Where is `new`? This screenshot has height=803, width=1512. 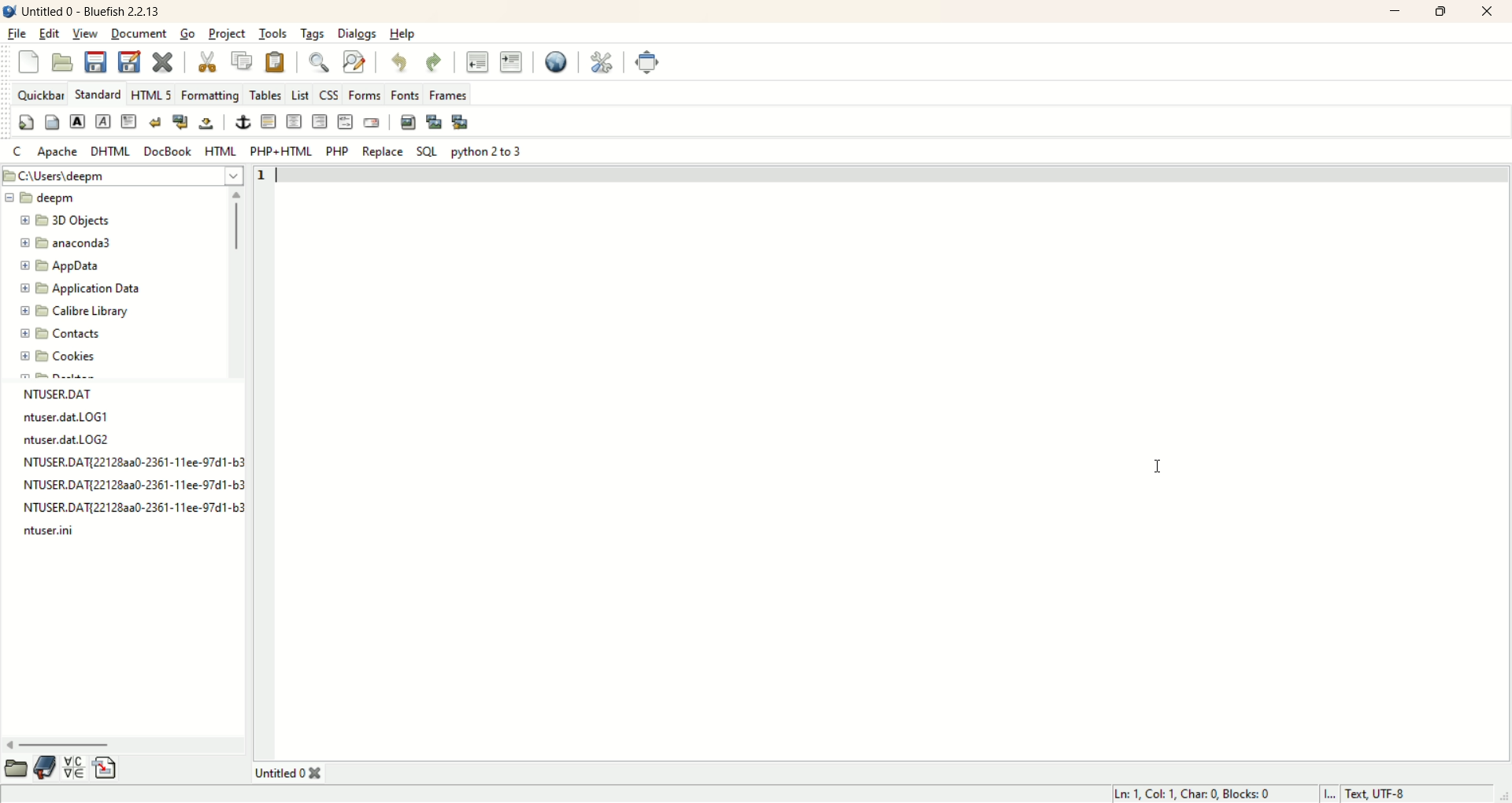 new is located at coordinates (28, 62).